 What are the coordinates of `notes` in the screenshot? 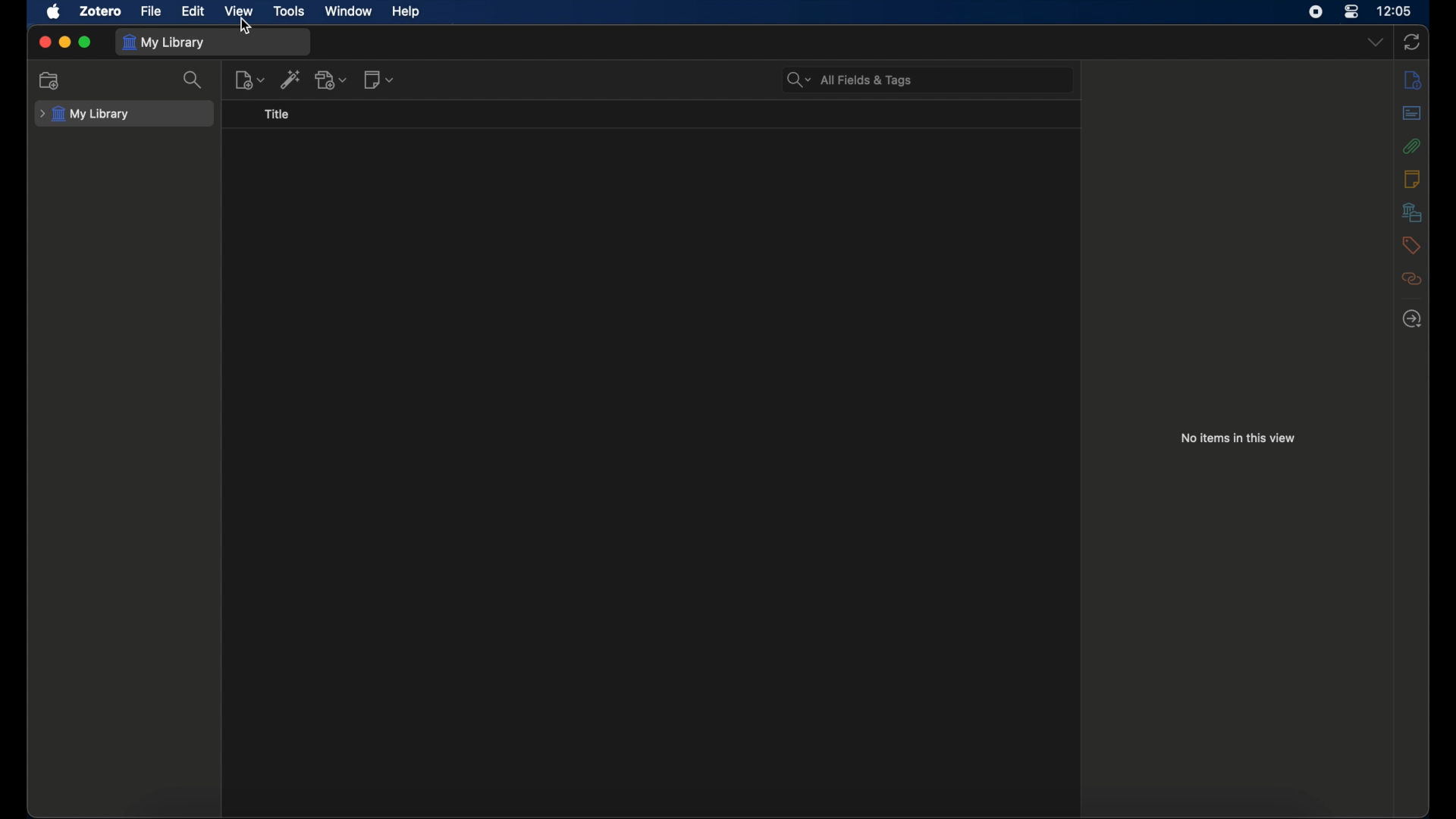 It's located at (1412, 177).